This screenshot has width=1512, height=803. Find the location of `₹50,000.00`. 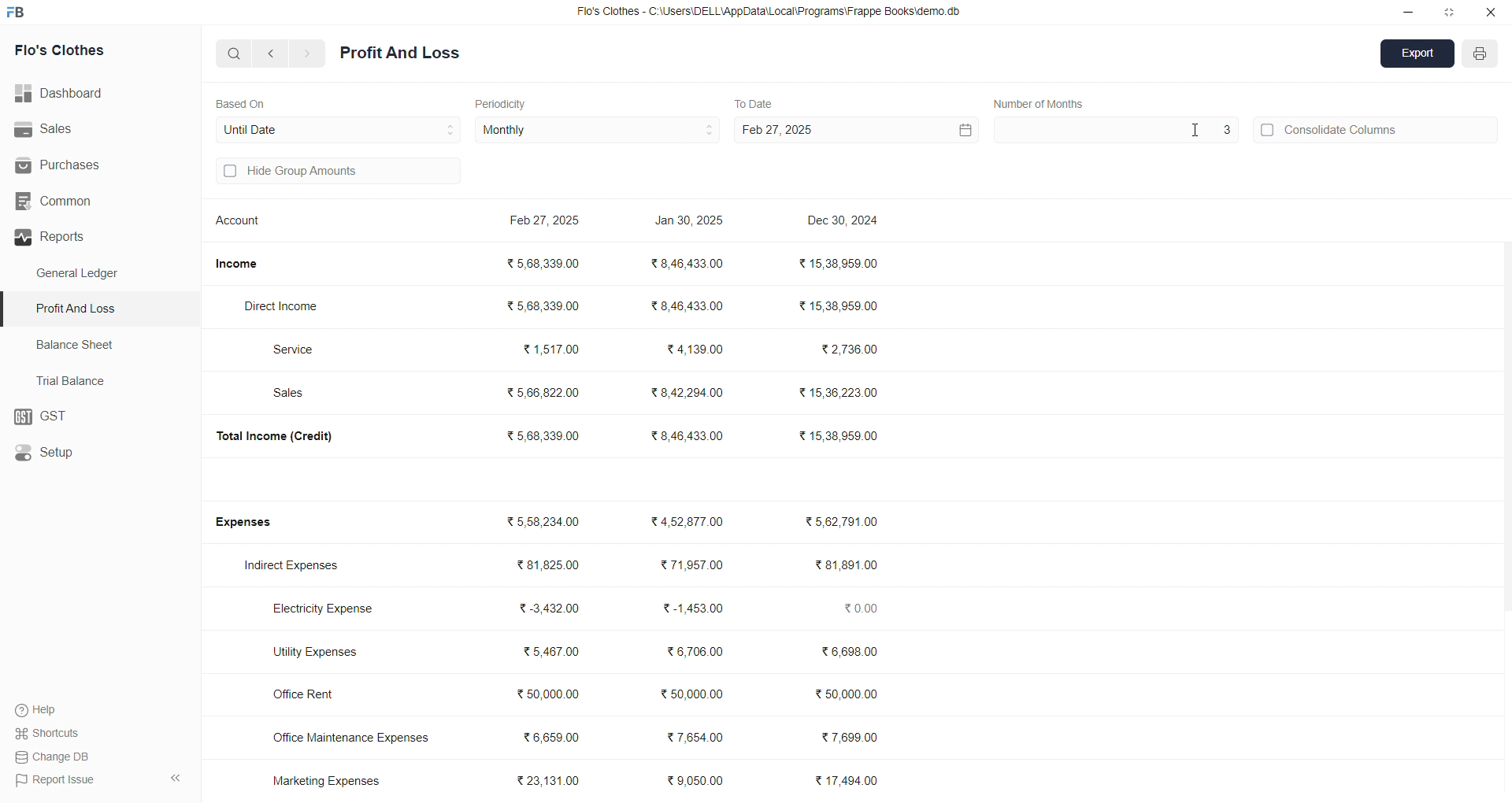

₹50,000.00 is located at coordinates (691, 693).